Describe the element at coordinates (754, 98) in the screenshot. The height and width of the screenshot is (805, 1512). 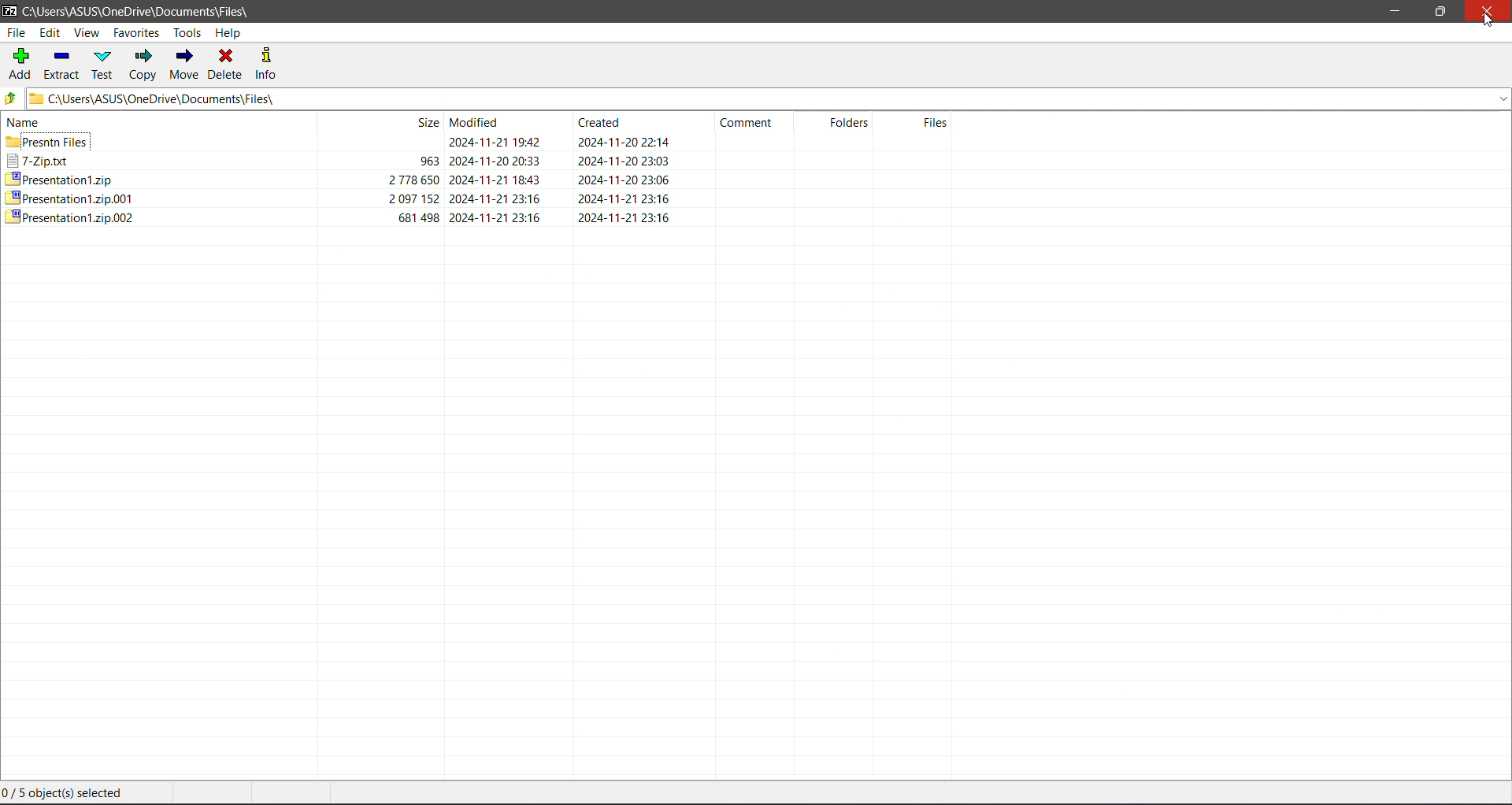
I see `Current Folder Location Path` at that location.